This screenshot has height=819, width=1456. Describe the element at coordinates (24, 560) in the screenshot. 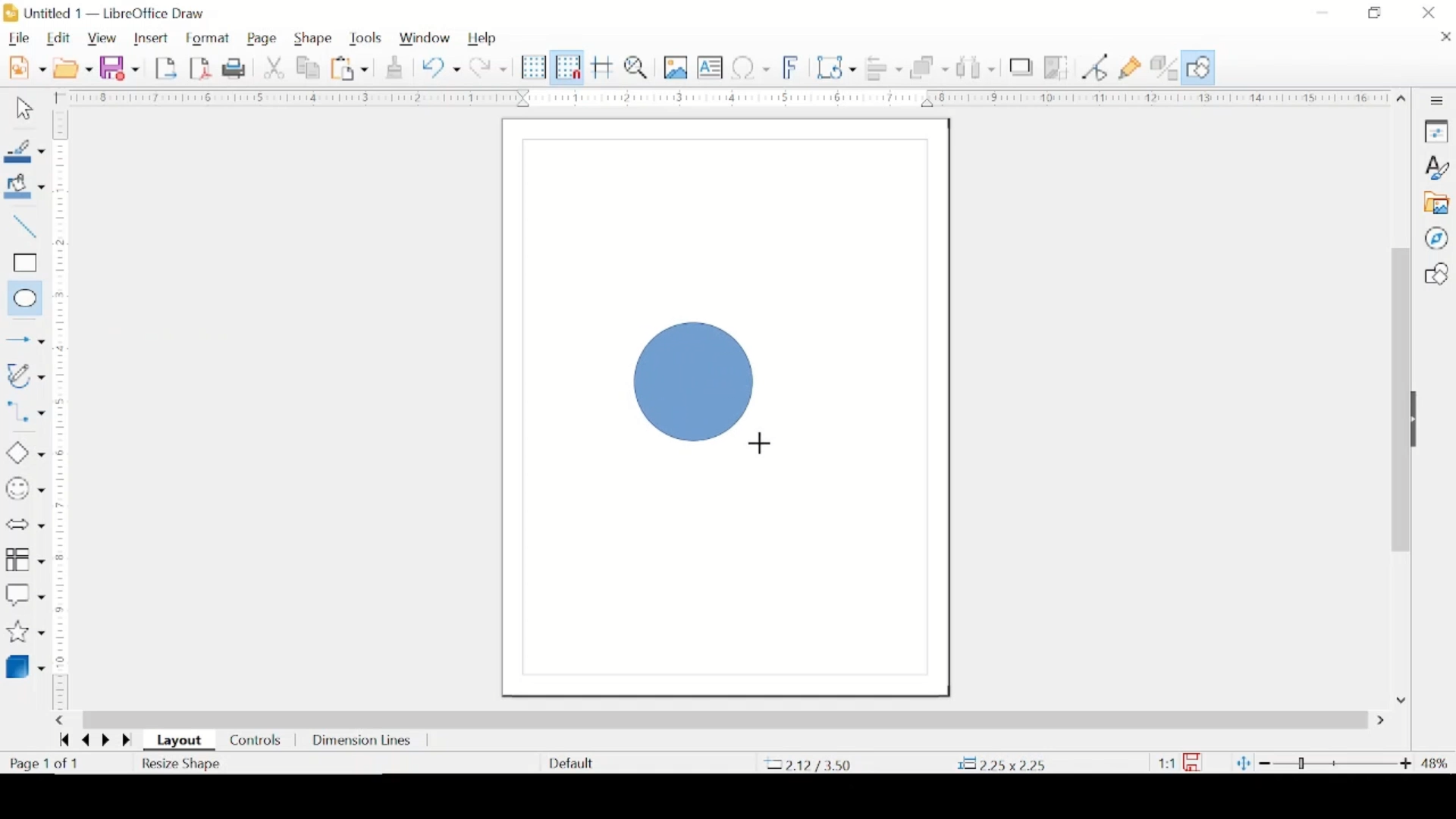

I see `flowchart` at that location.